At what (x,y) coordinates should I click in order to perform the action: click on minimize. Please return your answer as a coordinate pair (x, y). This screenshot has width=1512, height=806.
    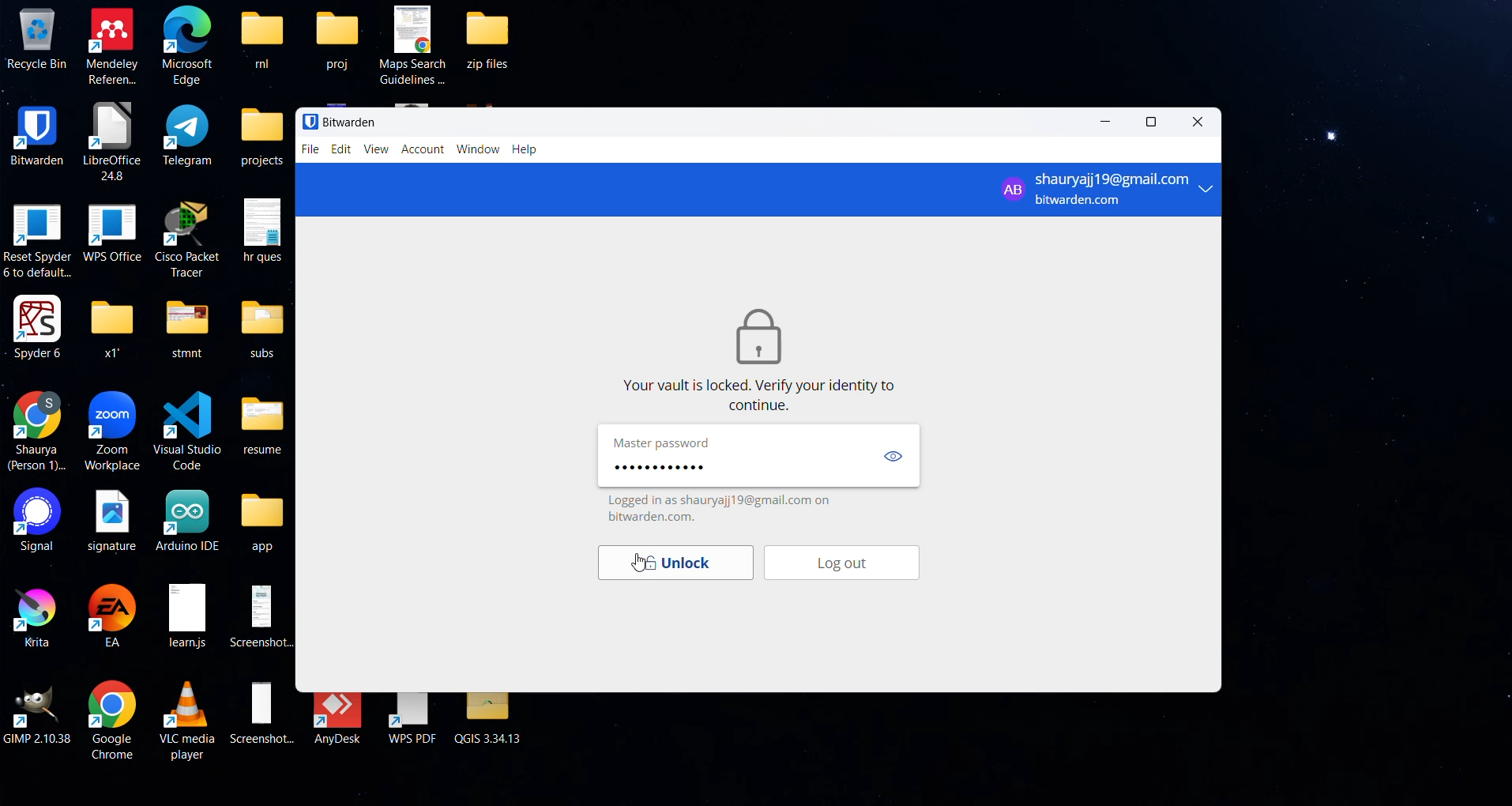
    Looking at the image, I should click on (1108, 124).